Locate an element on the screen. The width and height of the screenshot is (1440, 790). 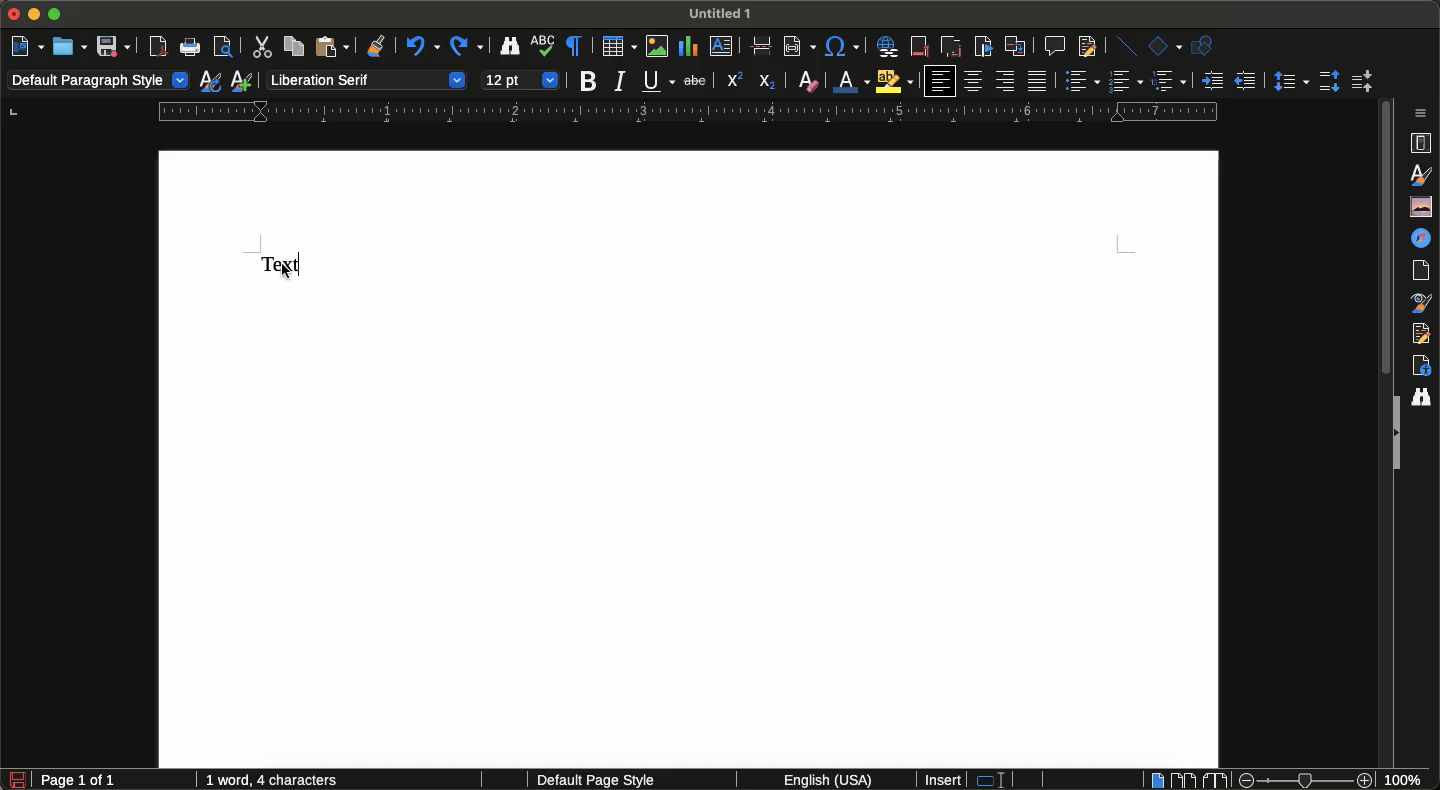
Strikethrough is located at coordinates (693, 82).